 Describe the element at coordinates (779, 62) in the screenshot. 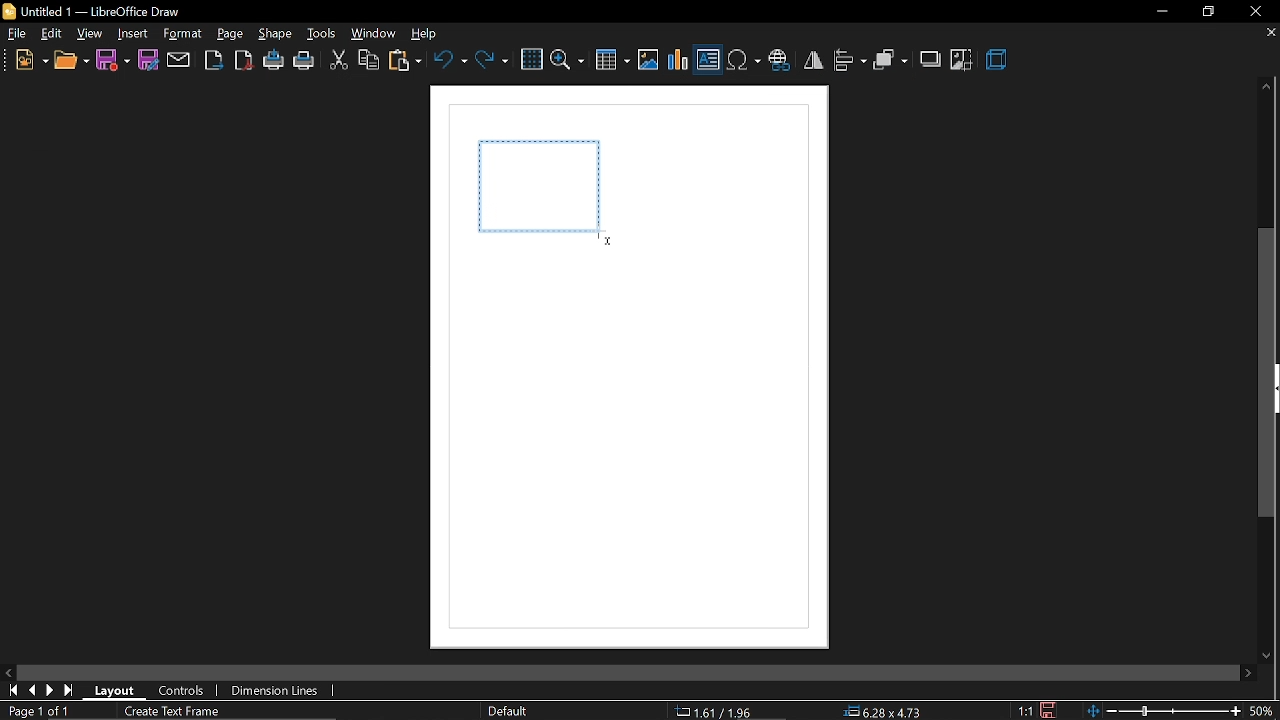

I see `insert hyperlink` at that location.